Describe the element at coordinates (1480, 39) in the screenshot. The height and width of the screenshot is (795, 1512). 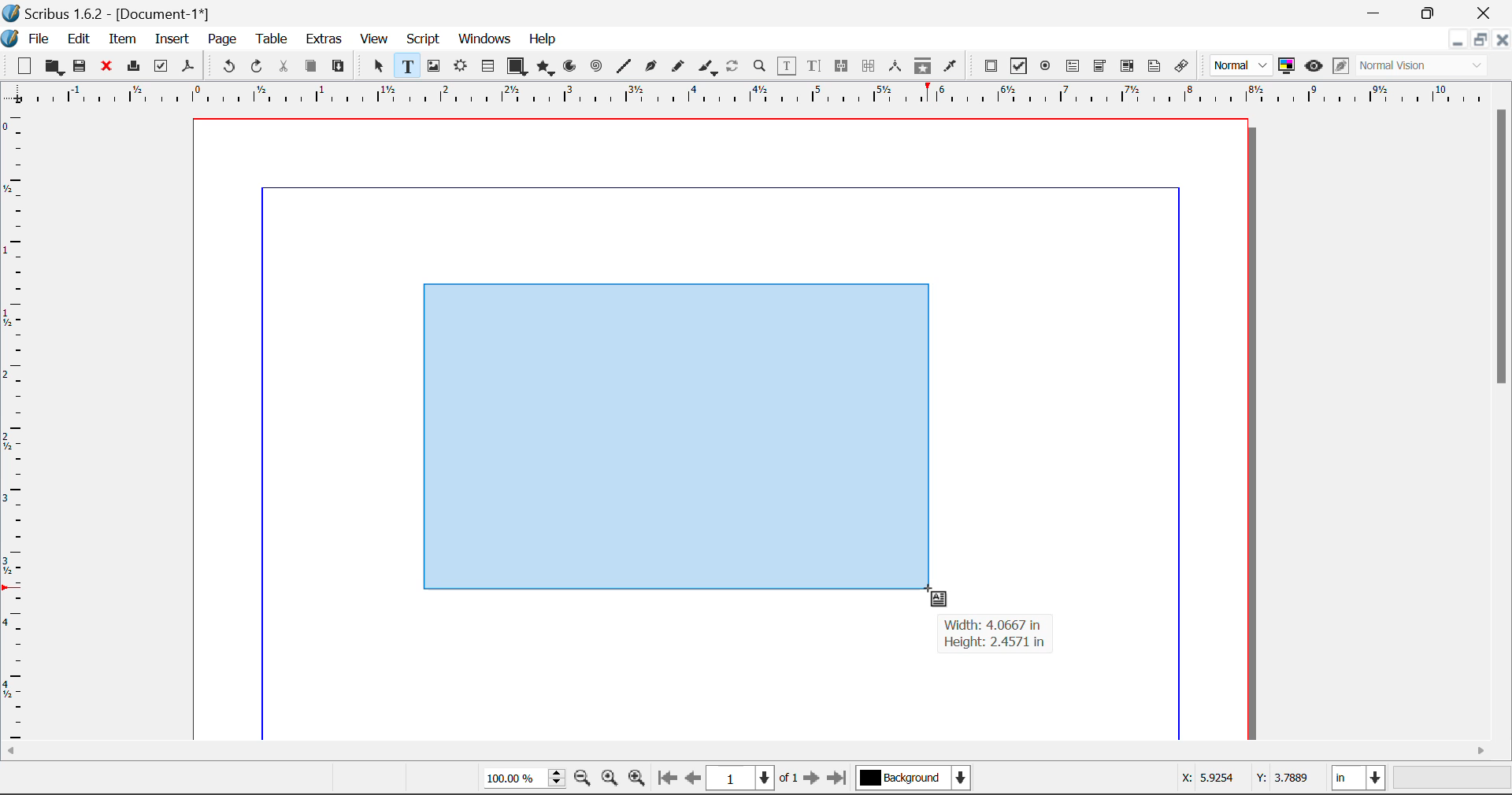
I see `Minimize` at that location.